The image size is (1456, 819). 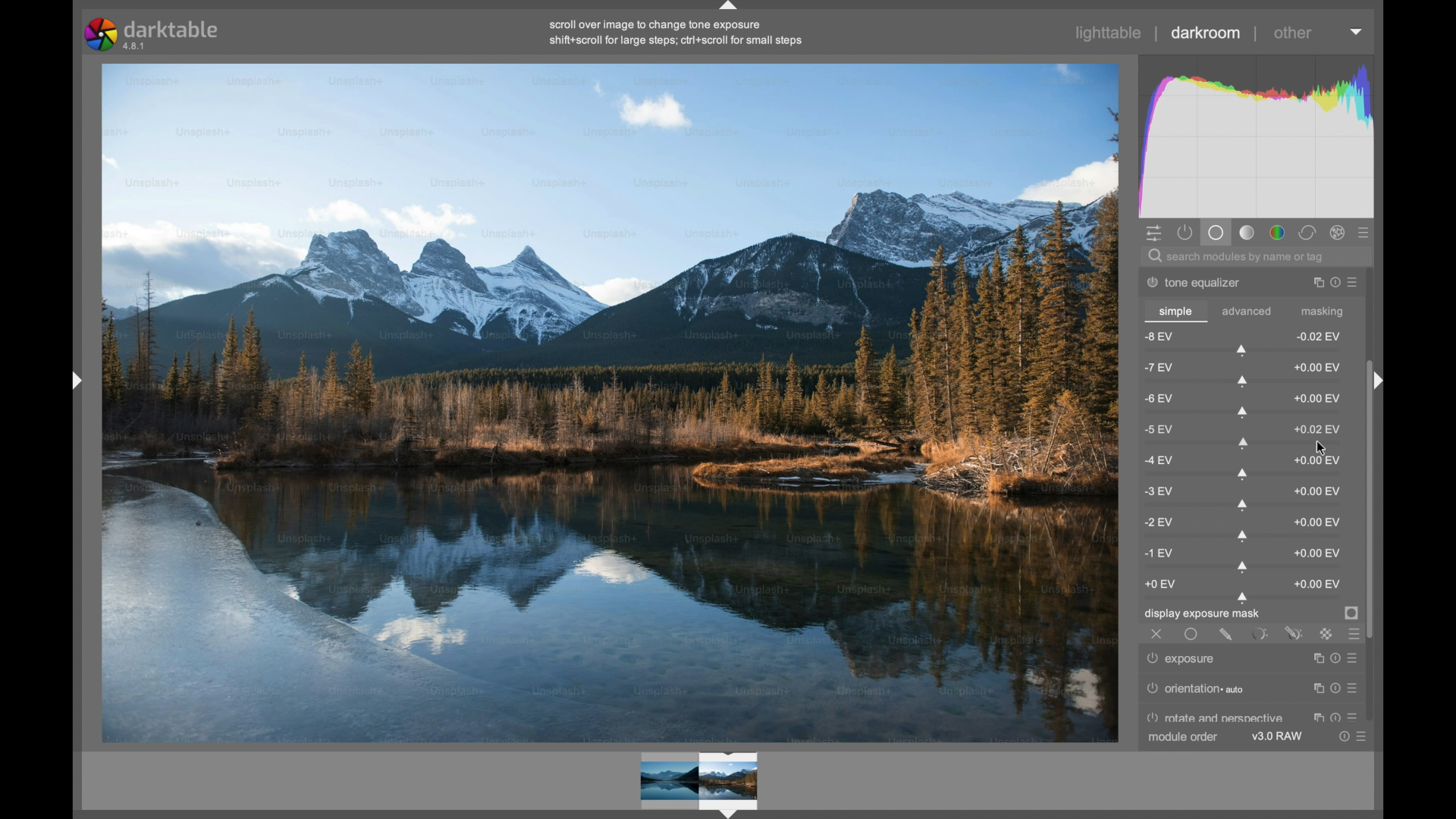 I want to click on scroll over image to change tone exposure
shift+scroll for large steps; cri+scroll for small steps, so click(x=672, y=36).